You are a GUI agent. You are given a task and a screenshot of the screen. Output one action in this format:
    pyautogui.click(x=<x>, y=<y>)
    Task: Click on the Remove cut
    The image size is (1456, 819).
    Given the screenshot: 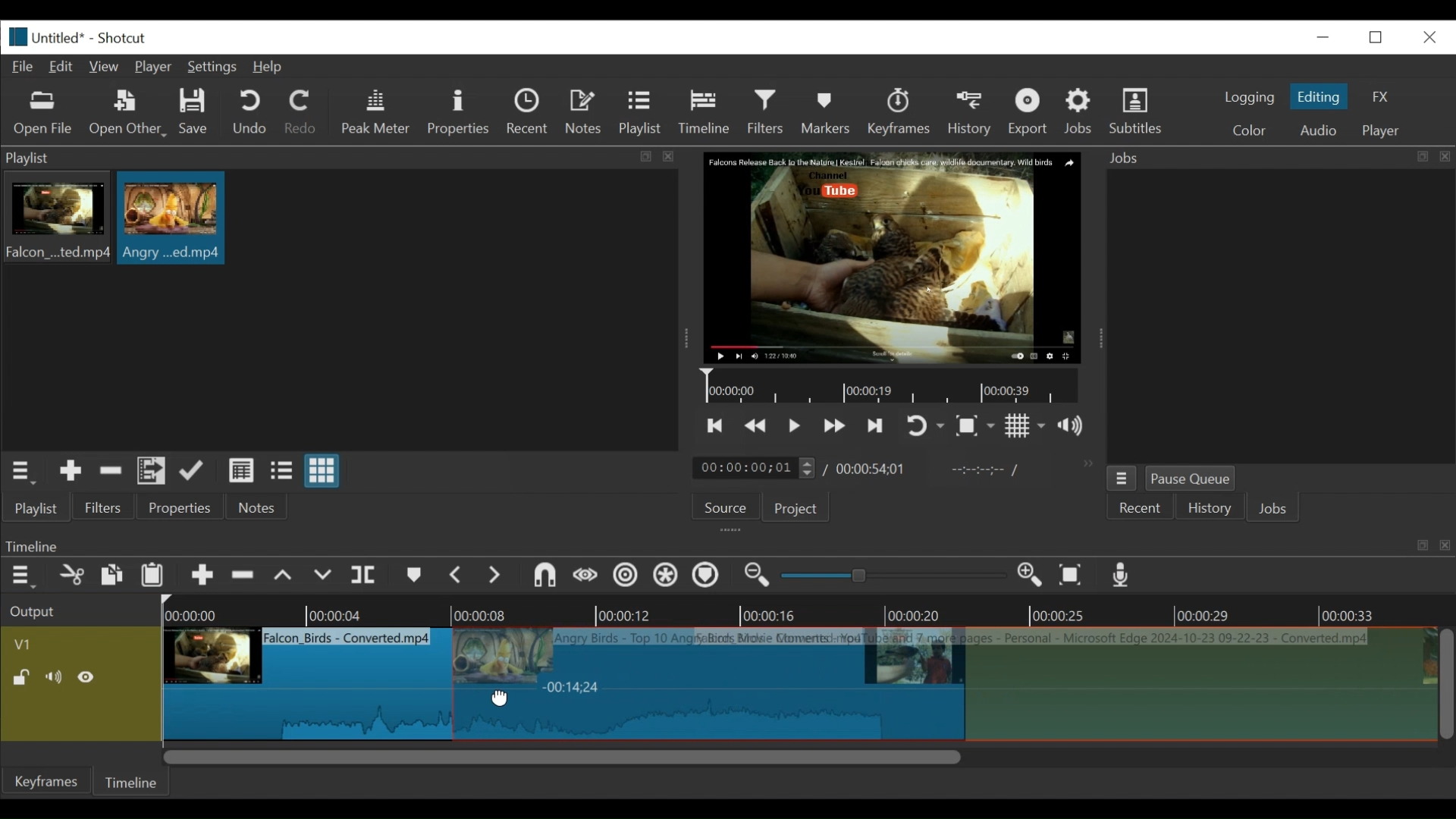 What is the action you would take?
    pyautogui.click(x=111, y=473)
    